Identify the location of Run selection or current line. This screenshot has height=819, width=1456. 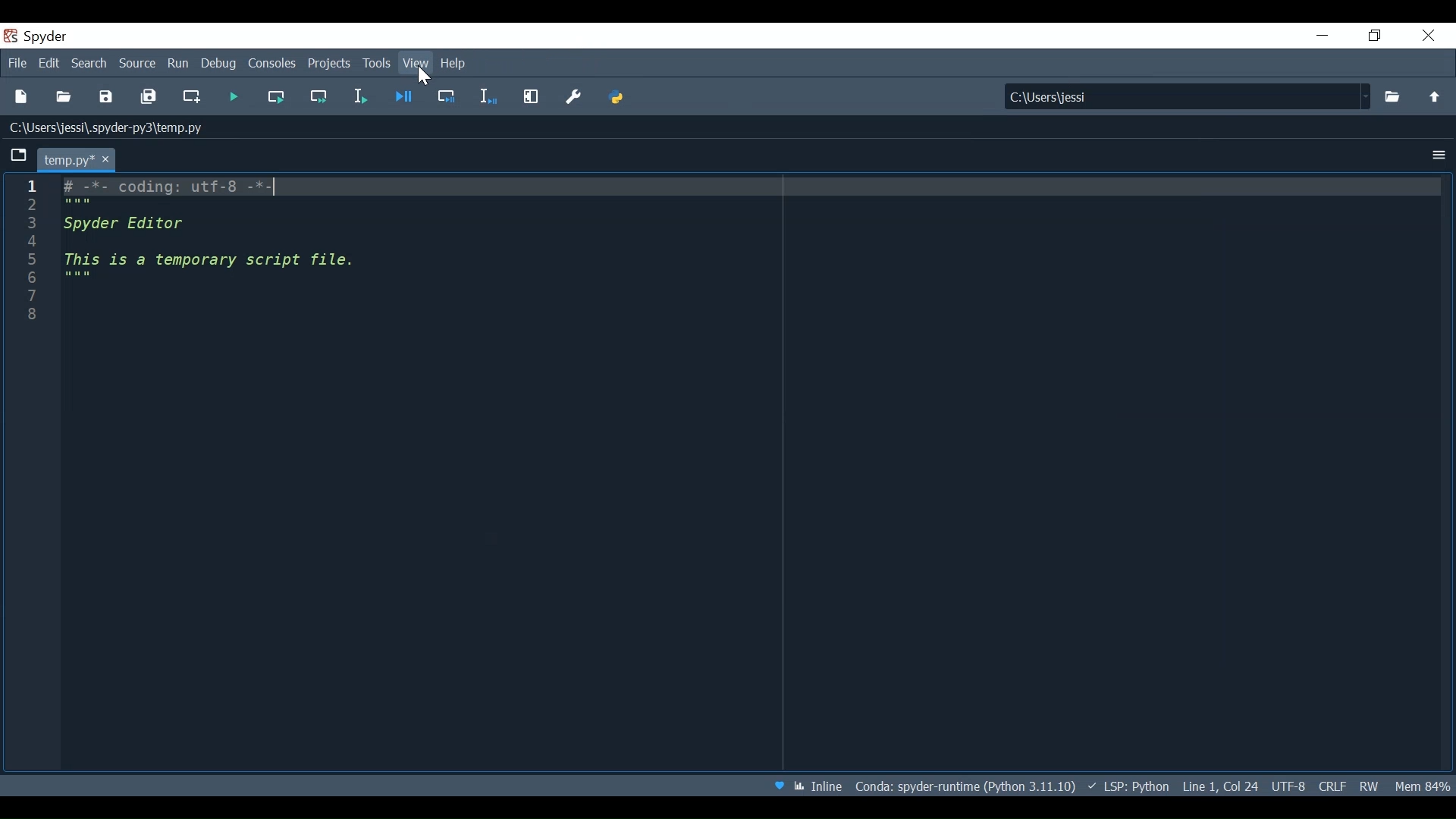
(359, 96).